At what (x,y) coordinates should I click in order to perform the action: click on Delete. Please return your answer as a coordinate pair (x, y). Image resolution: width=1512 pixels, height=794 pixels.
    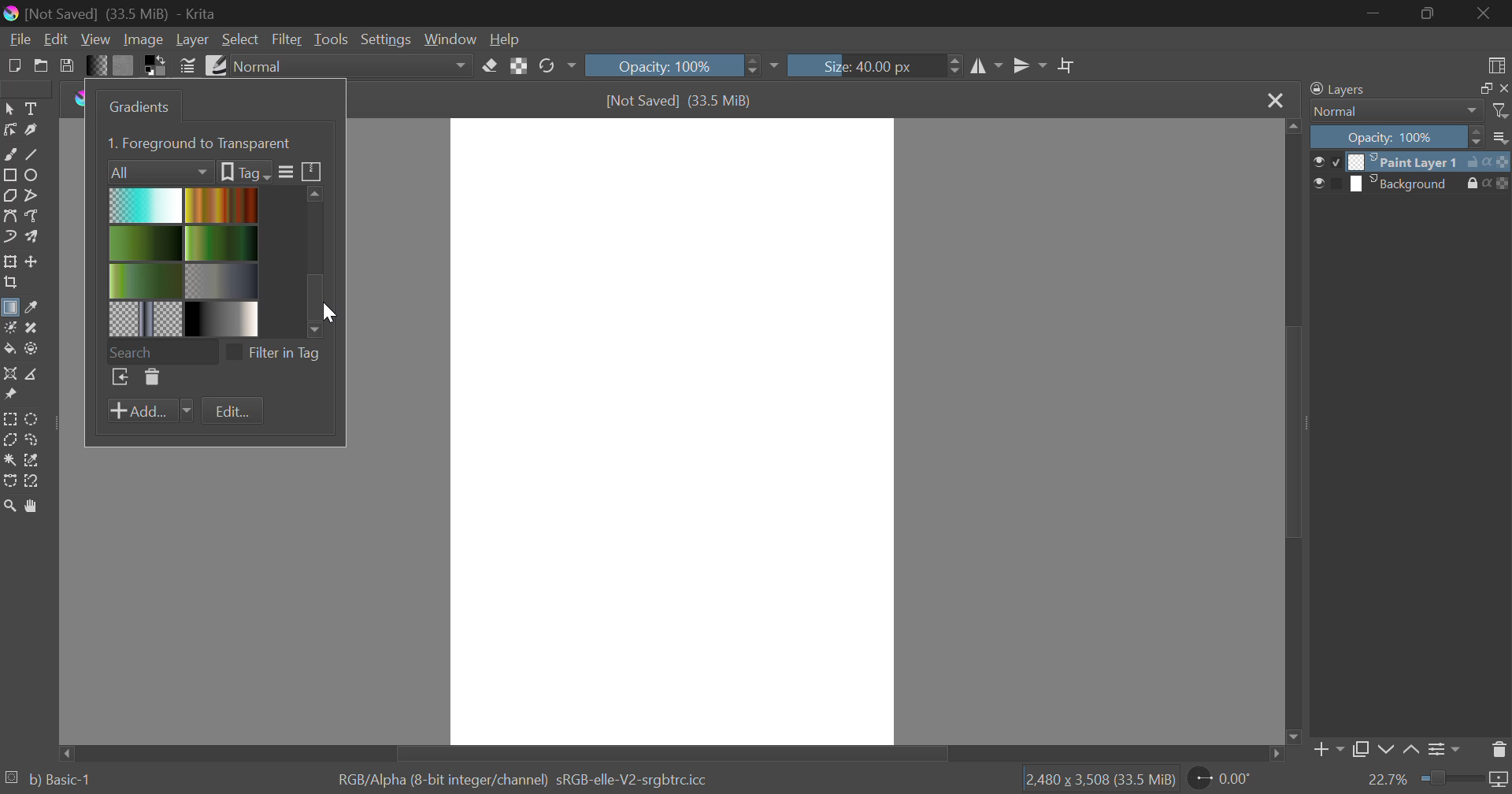
    Looking at the image, I should click on (150, 378).